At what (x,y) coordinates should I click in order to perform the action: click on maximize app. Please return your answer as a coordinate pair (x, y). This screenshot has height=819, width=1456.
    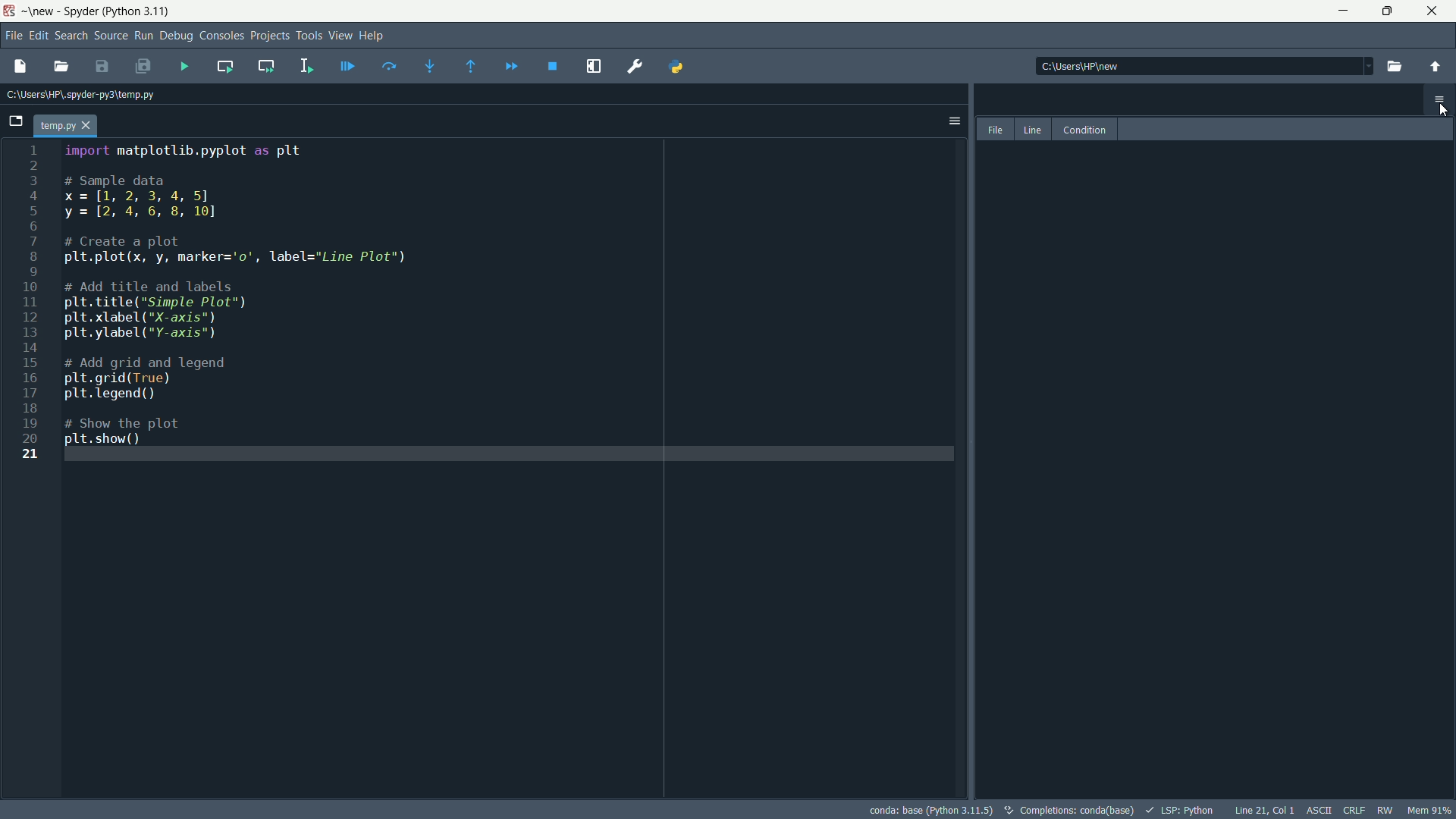
    Looking at the image, I should click on (1435, 11).